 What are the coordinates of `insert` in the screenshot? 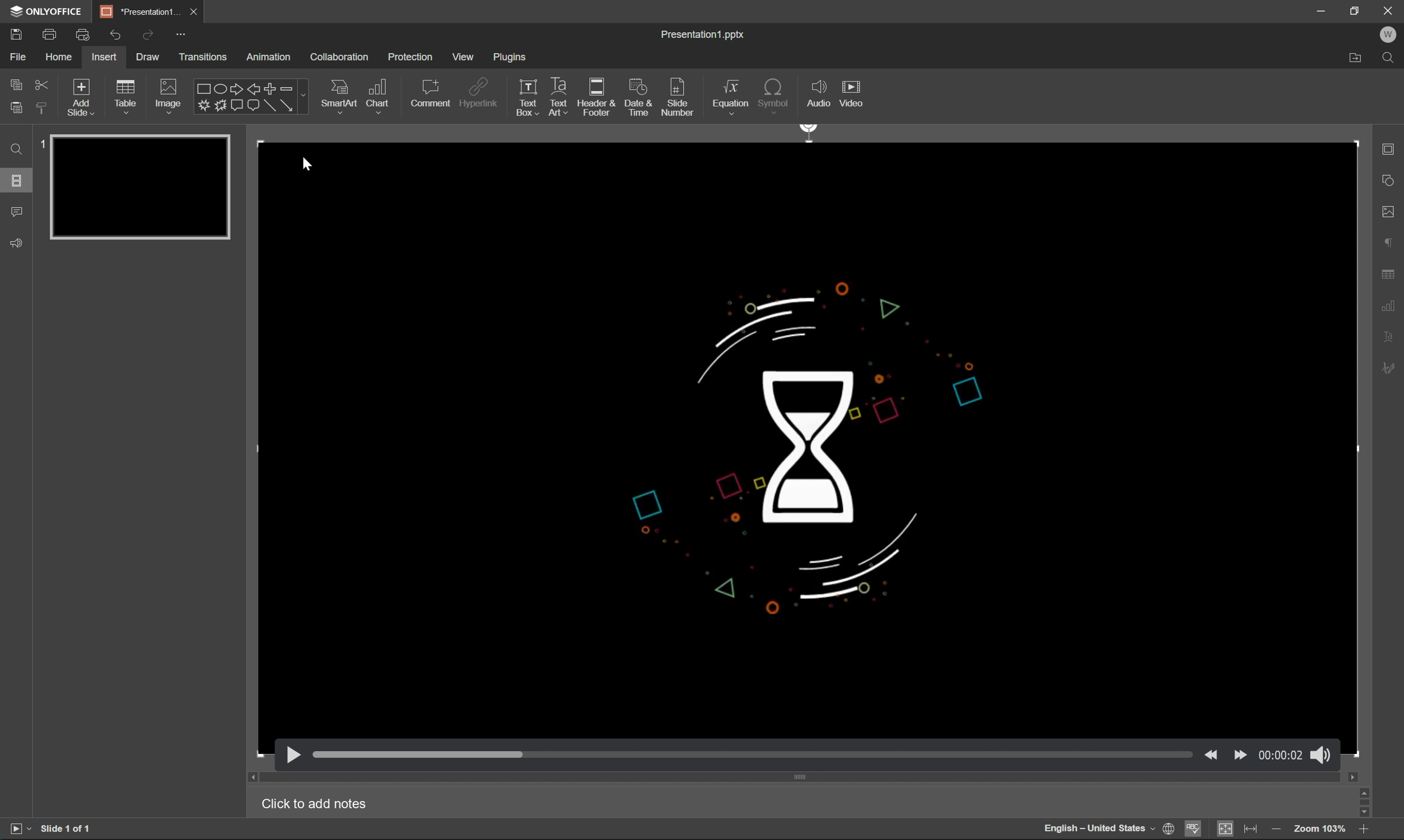 It's located at (103, 57).